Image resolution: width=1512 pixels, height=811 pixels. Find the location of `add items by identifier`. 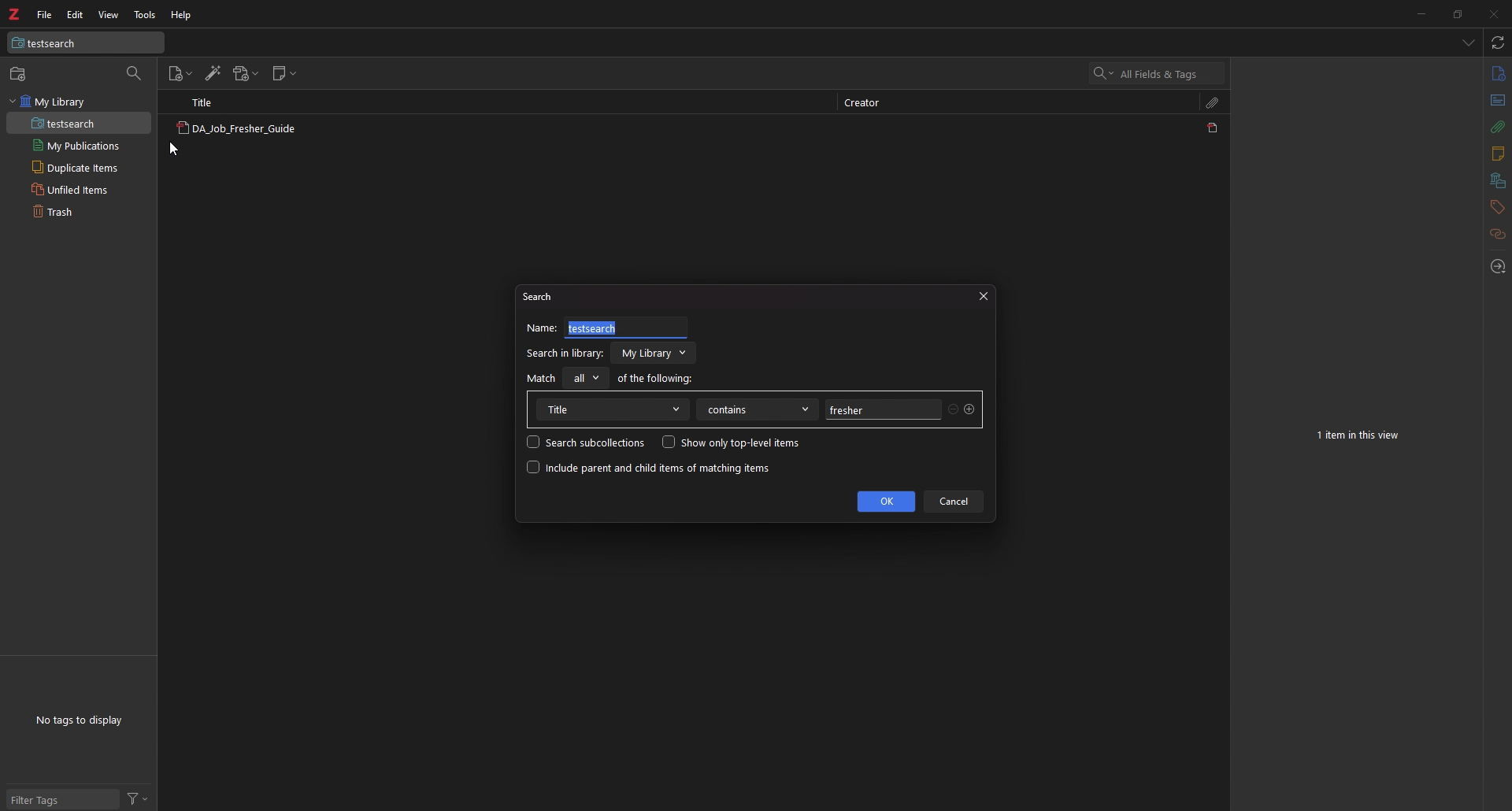

add items by identifier is located at coordinates (213, 73).